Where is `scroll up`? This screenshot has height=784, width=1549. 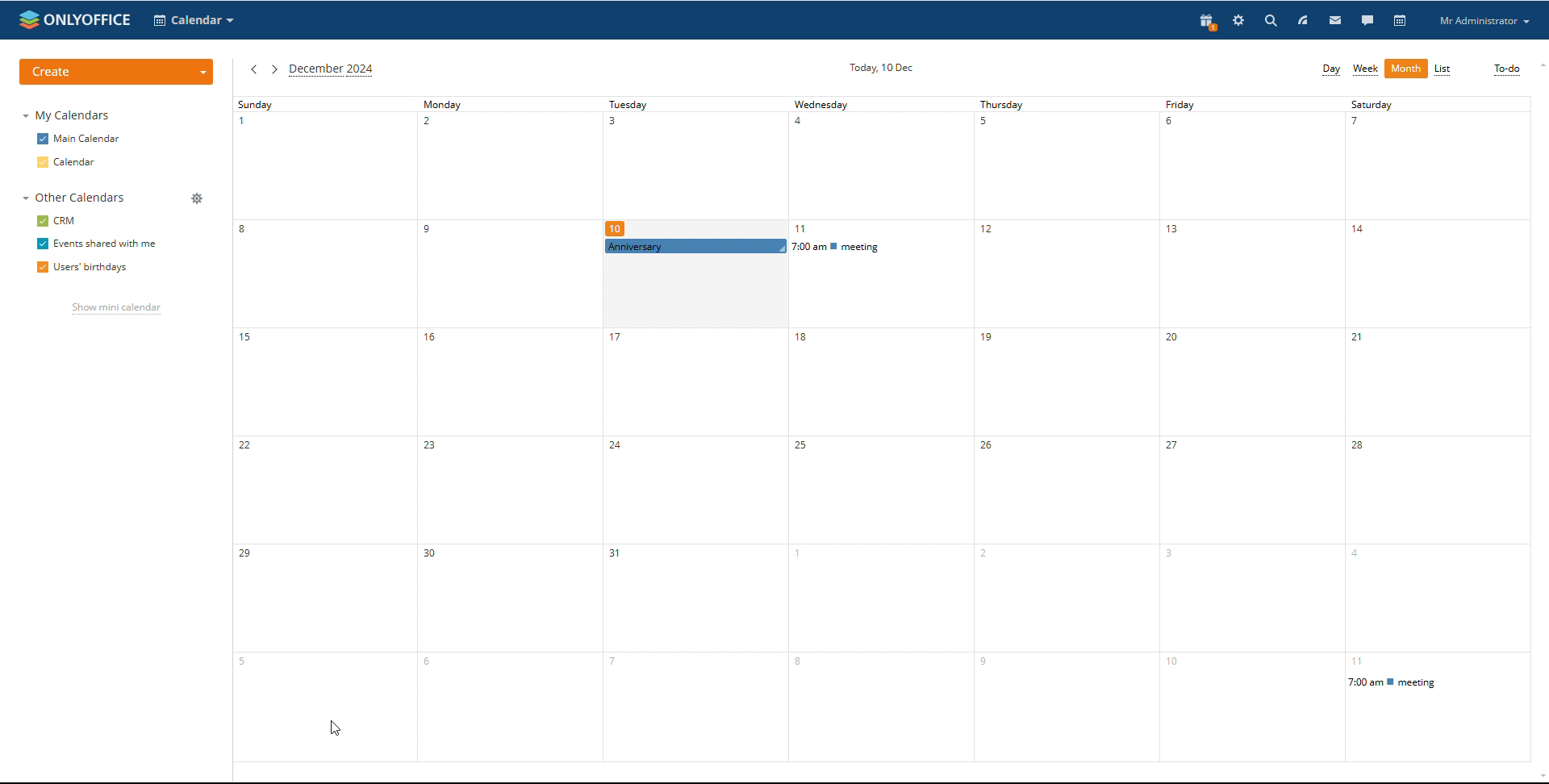
scroll up is located at coordinates (1539, 65).